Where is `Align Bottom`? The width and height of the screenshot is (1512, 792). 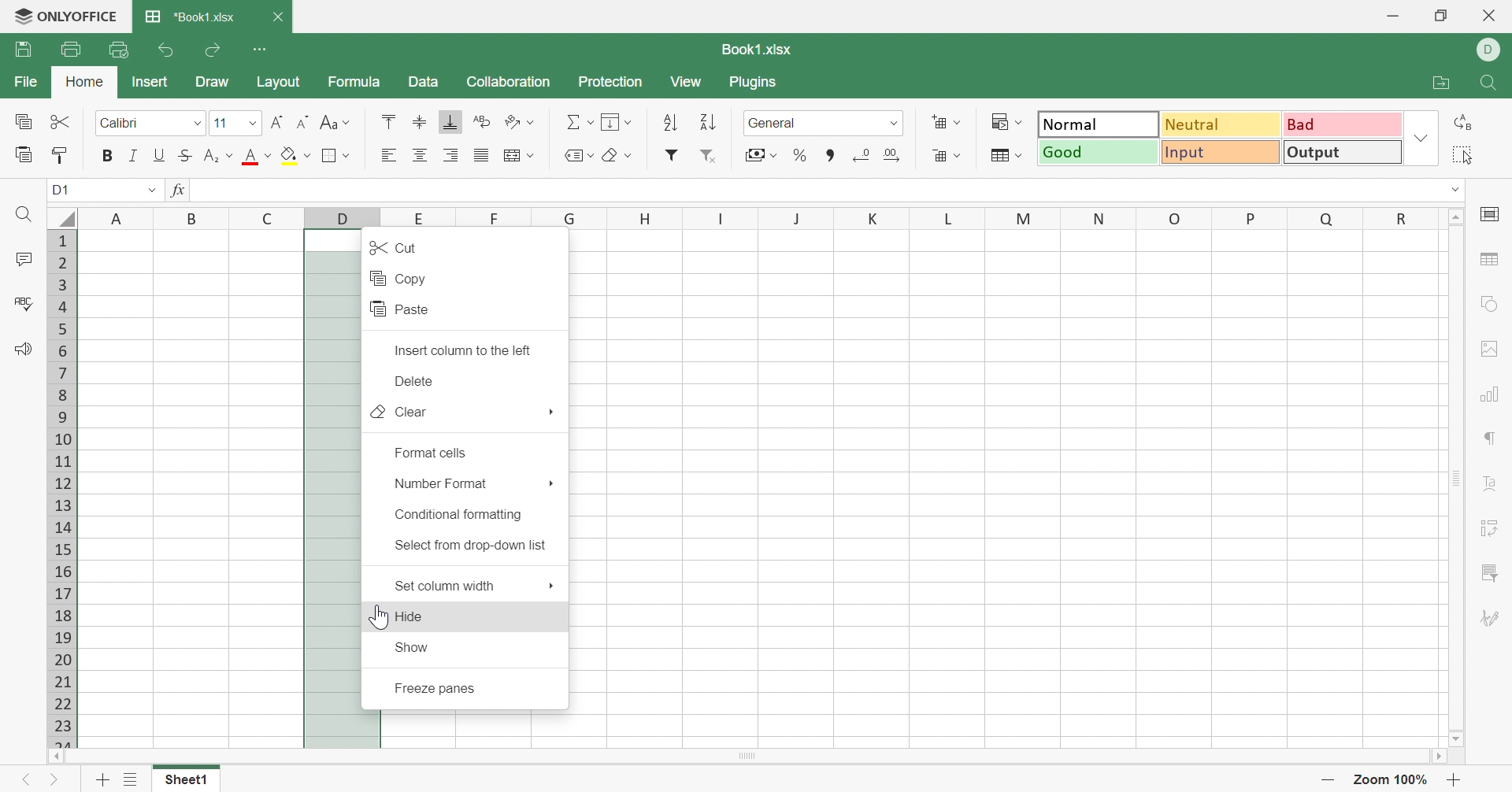 Align Bottom is located at coordinates (453, 124).